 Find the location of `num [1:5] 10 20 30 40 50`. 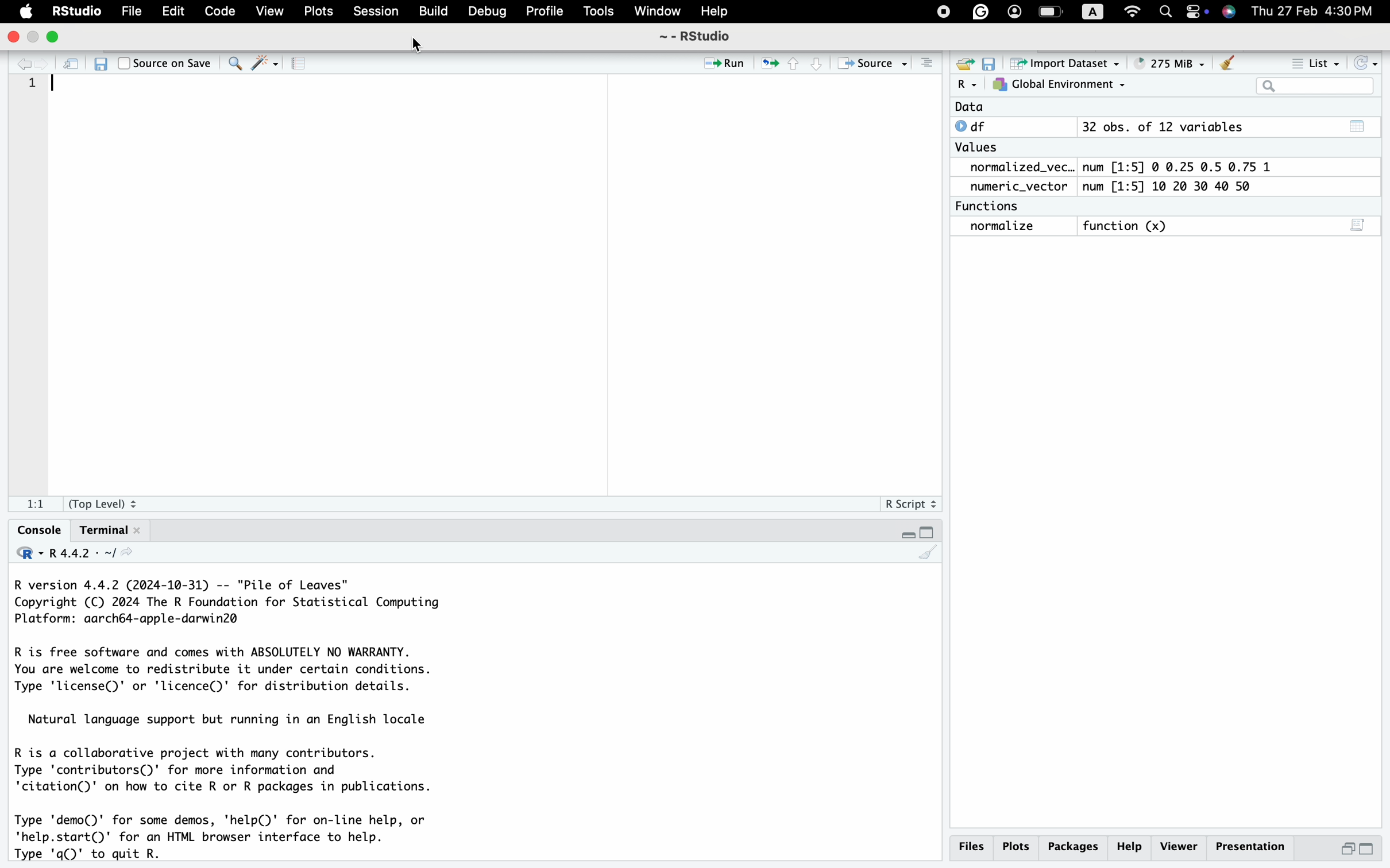

num [1:5] 10 20 30 40 50 is located at coordinates (1175, 186).